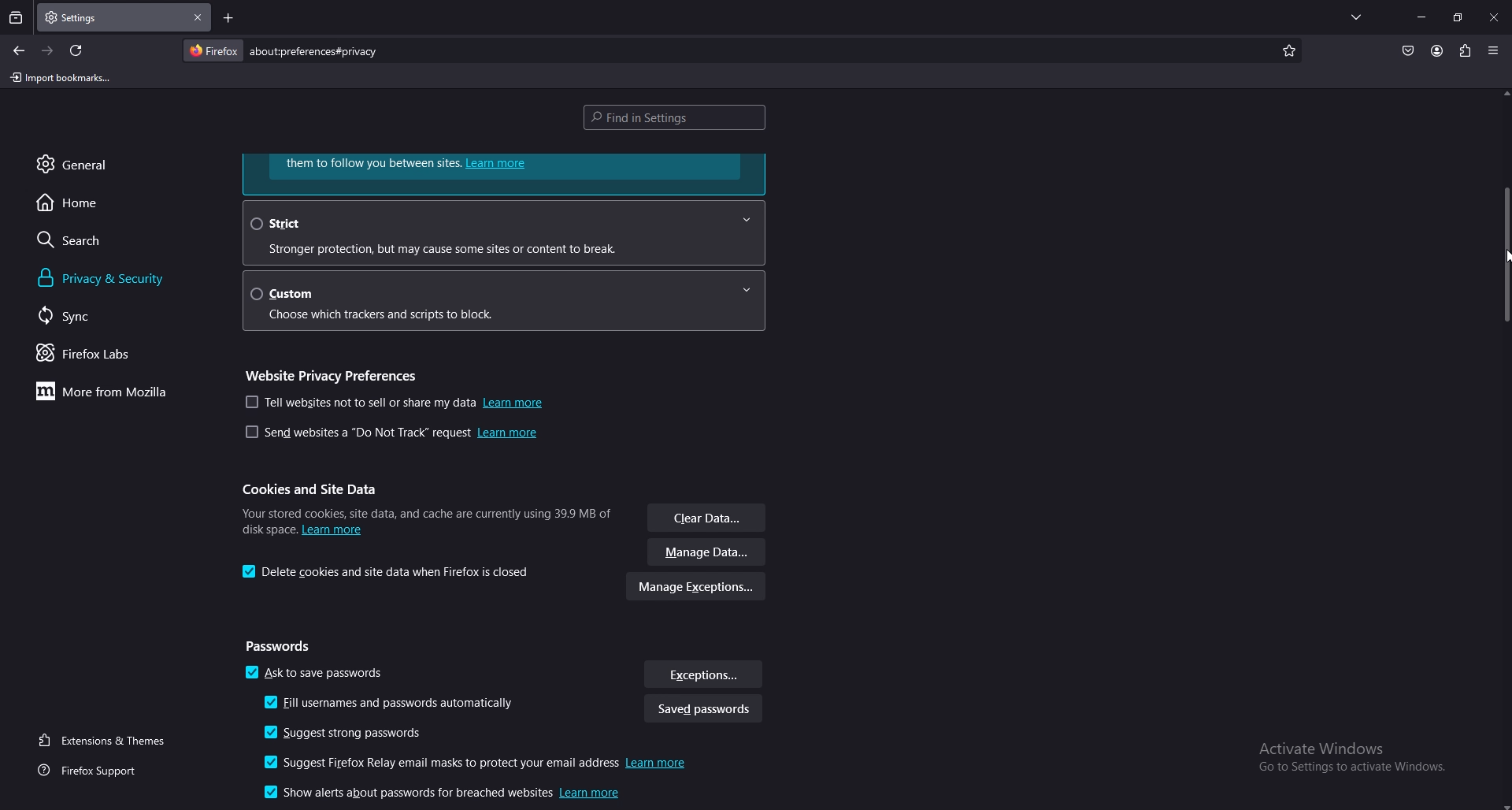  What do you see at coordinates (20, 51) in the screenshot?
I see `backward` at bounding box center [20, 51].